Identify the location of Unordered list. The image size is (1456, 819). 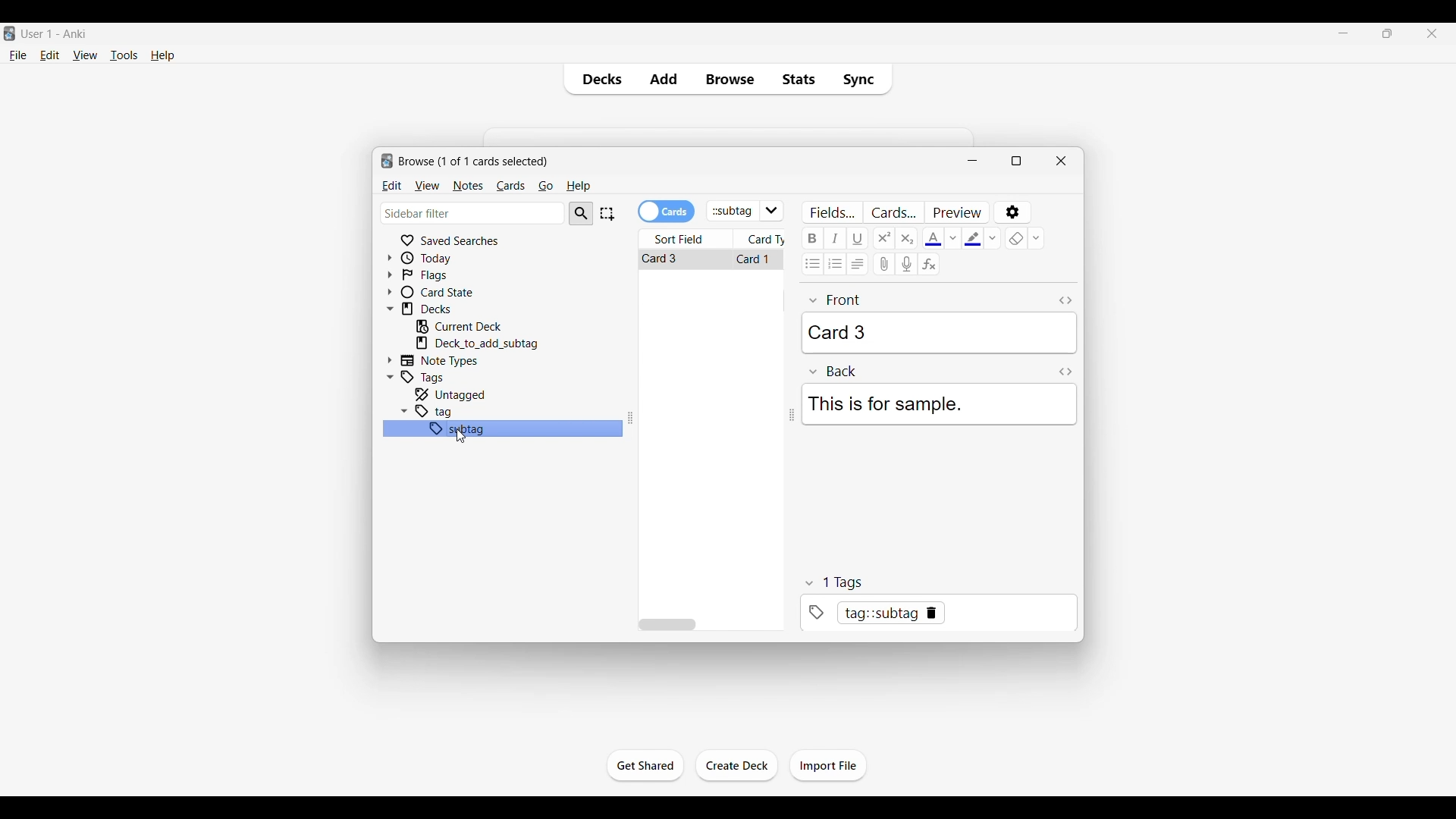
(812, 264).